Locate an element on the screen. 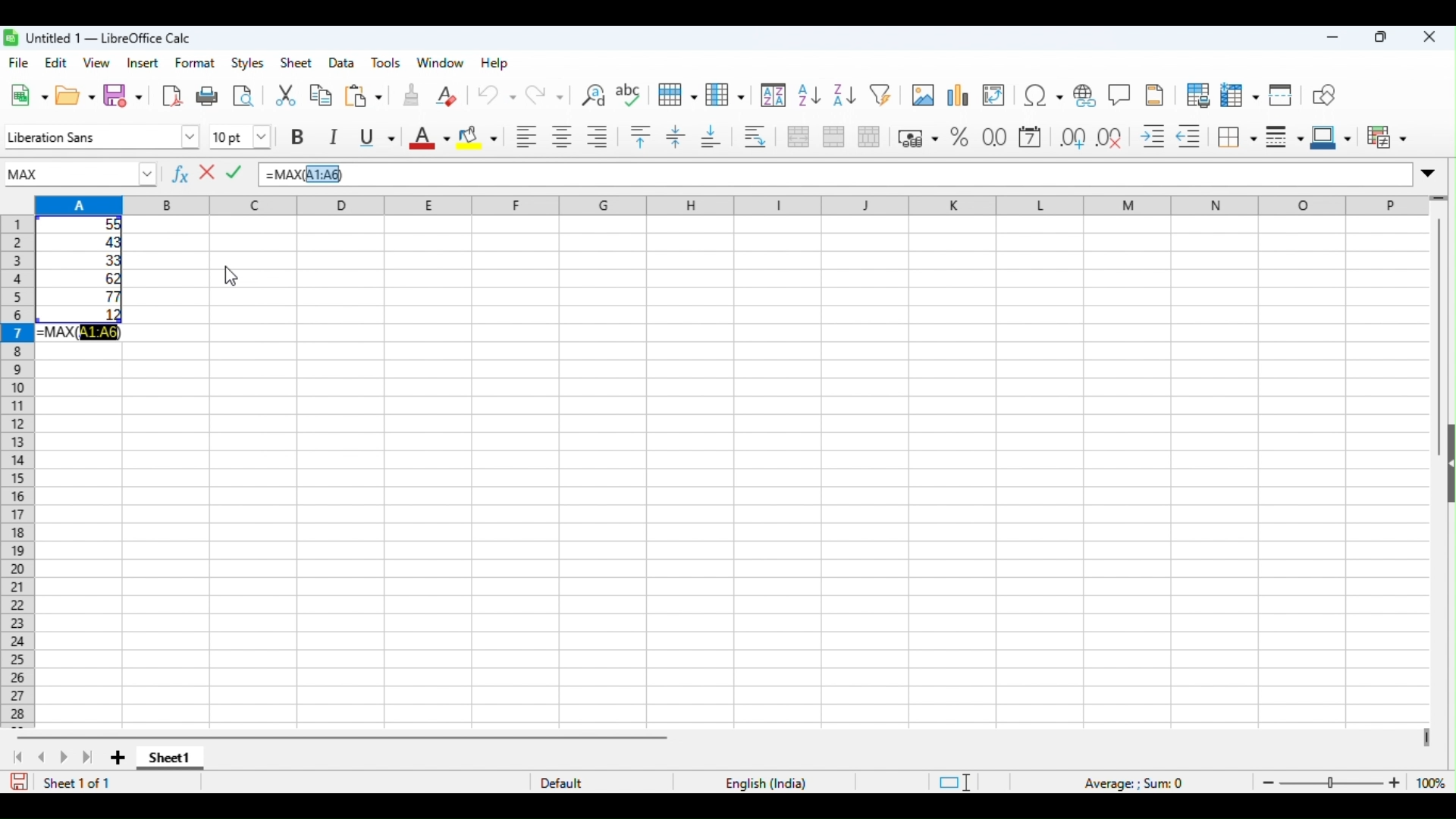 This screenshot has width=1456, height=819. insert comment is located at coordinates (1120, 93).